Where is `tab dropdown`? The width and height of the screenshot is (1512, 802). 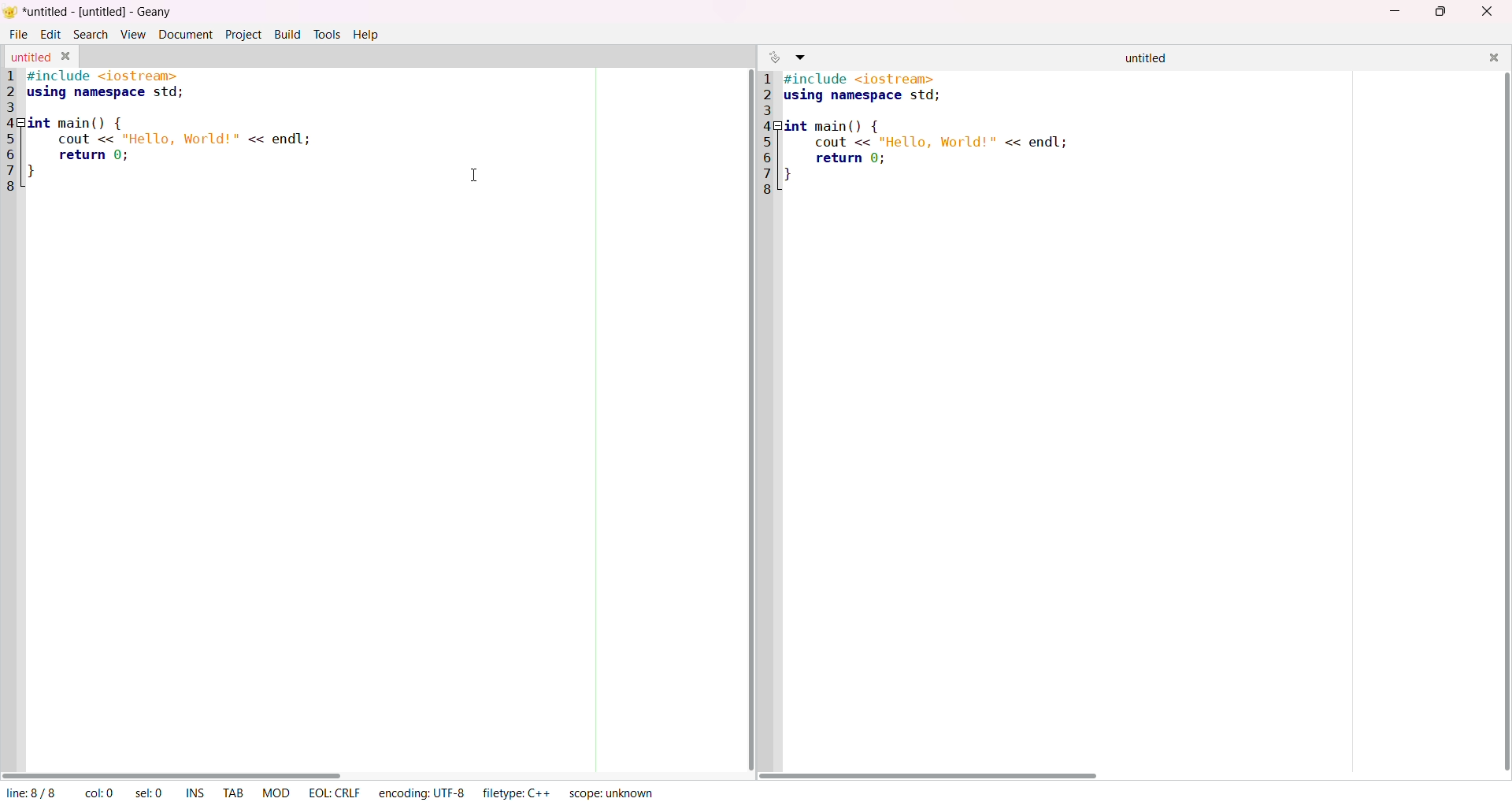 tab dropdown is located at coordinates (805, 57).